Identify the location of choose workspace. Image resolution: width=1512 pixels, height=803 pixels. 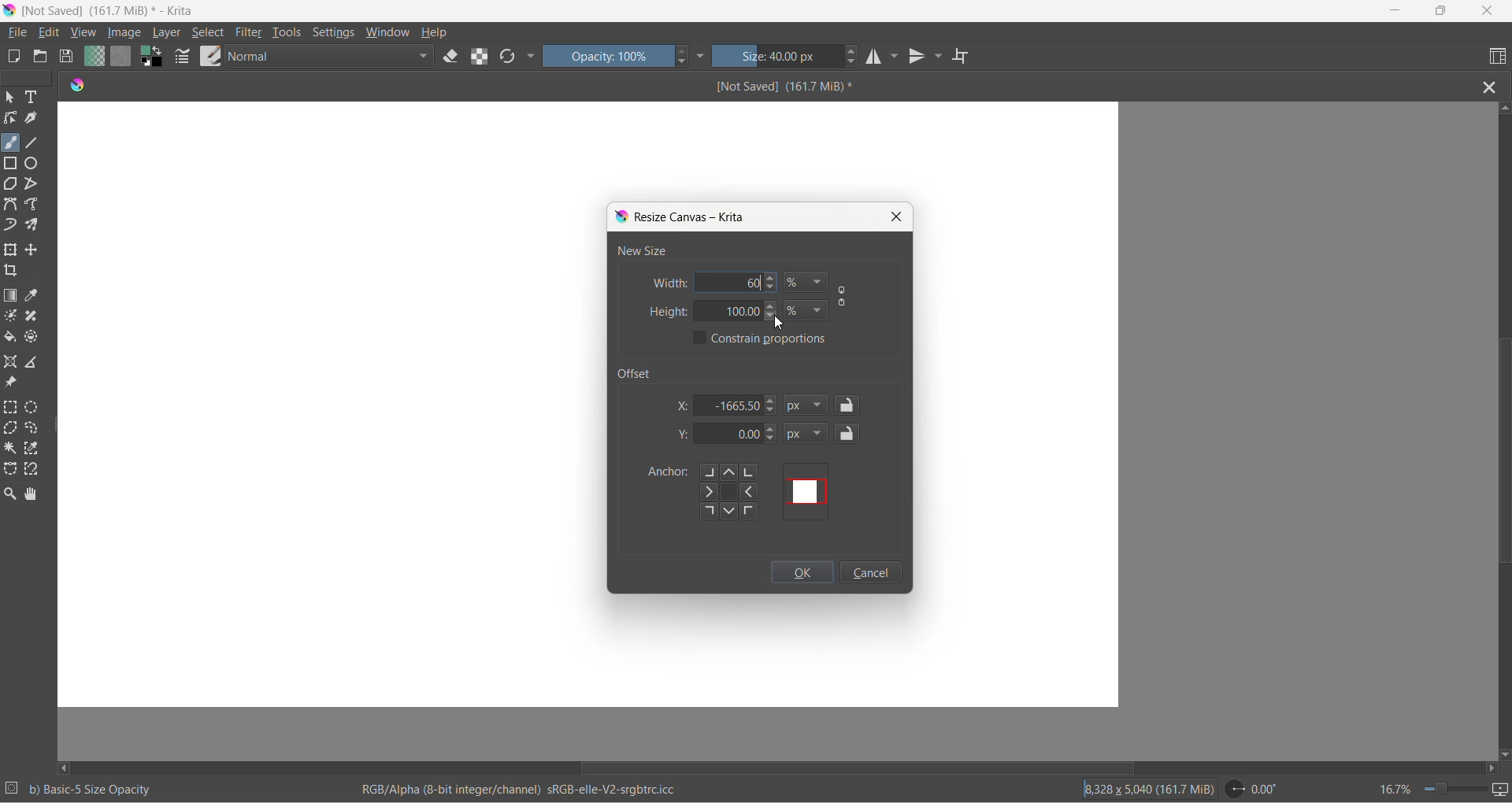
(1495, 57).